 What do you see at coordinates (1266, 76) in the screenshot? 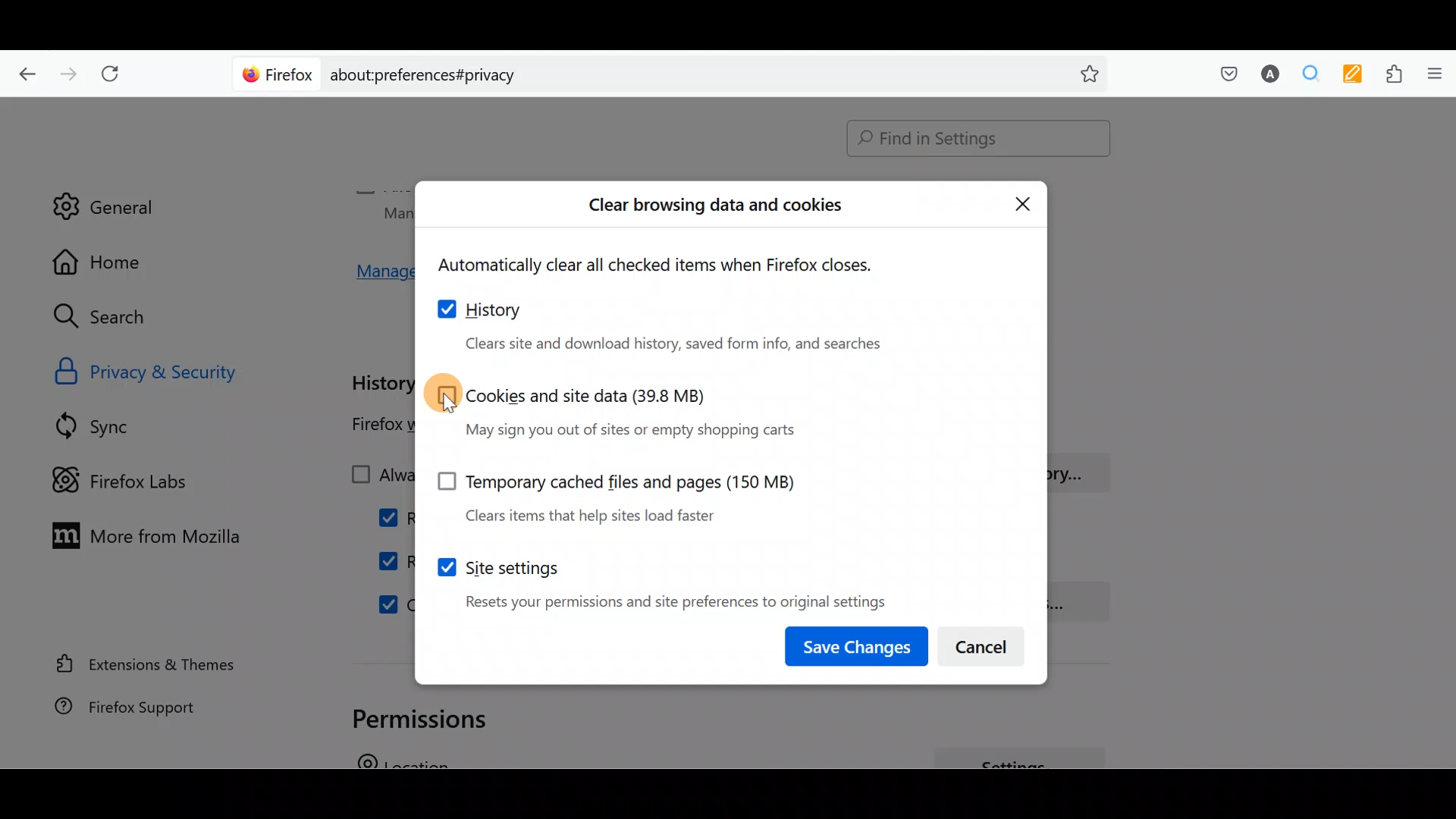
I see `Account name` at bounding box center [1266, 76].